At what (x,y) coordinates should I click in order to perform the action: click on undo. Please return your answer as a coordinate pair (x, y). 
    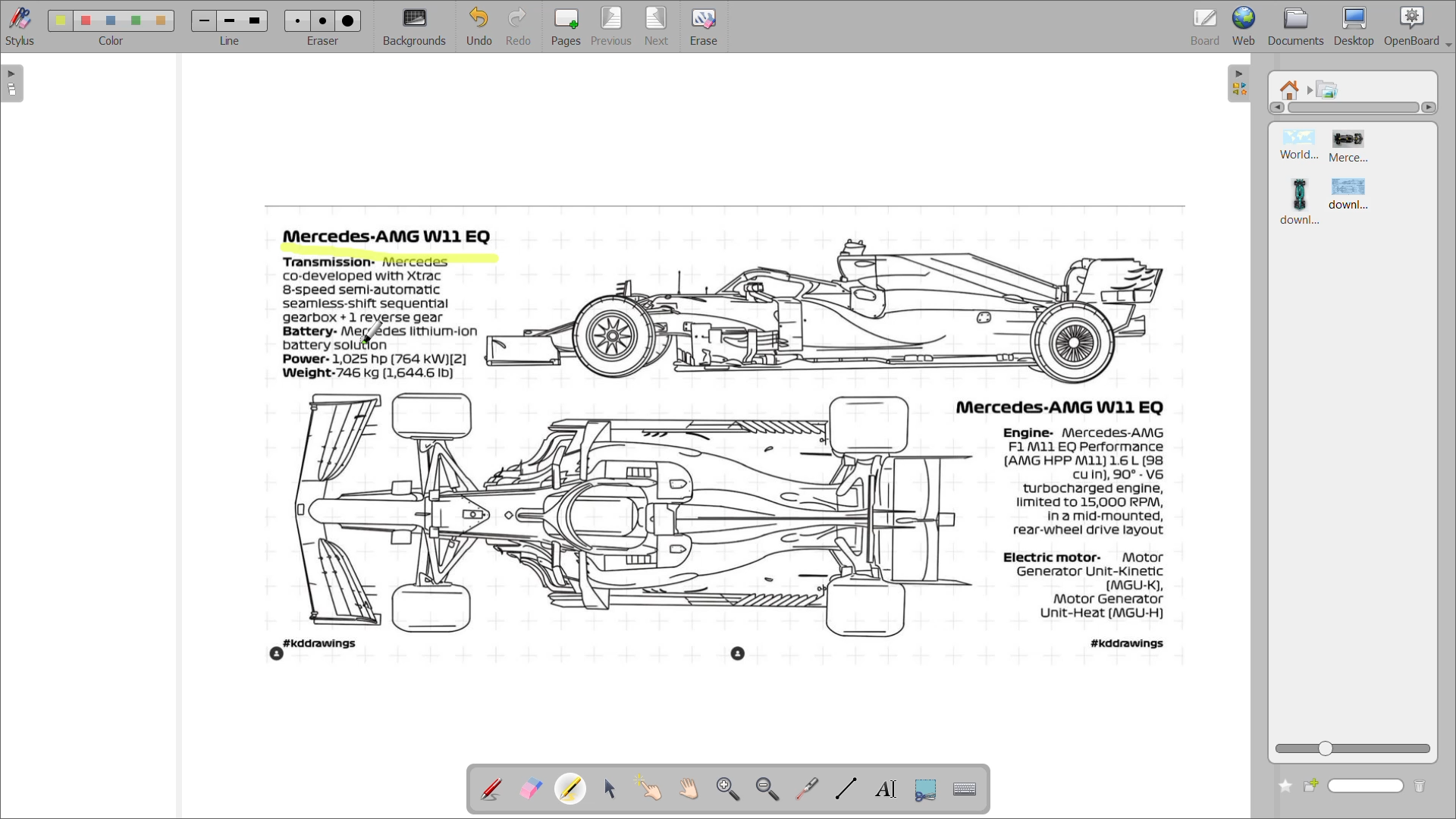
    Looking at the image, I should click on (478, 27).